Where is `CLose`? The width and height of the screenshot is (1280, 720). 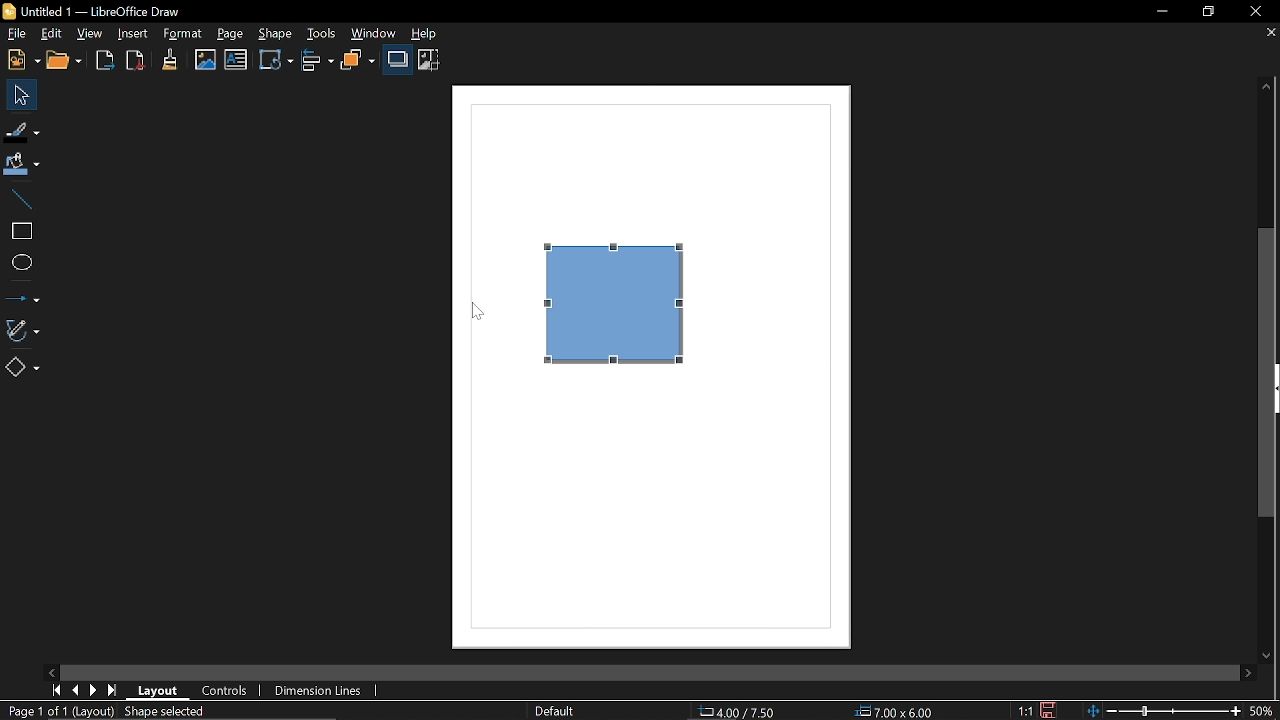 CLose is located at coordinates (1256, 12).